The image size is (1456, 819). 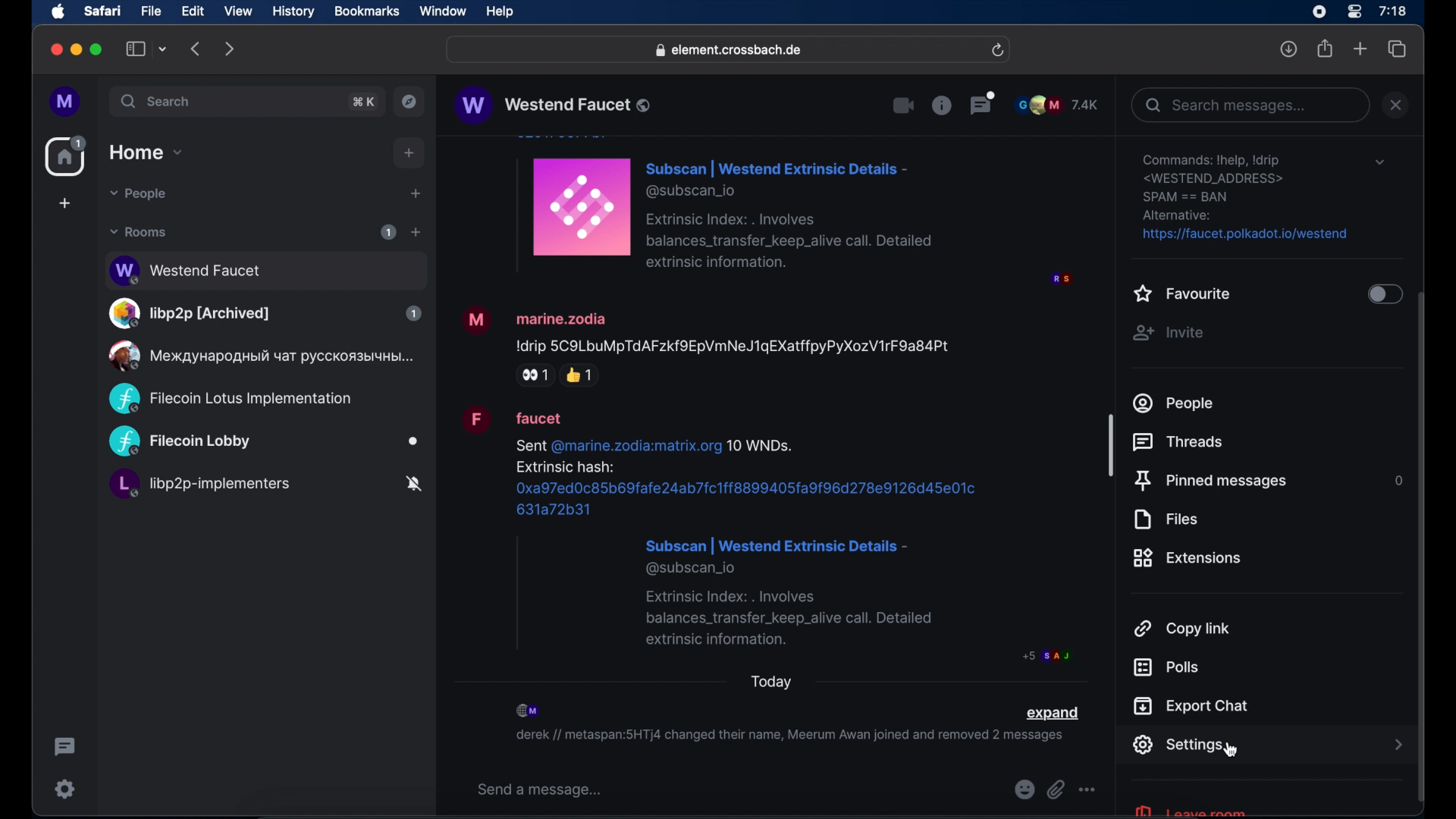 What do you see at coordinates (265, 313) in the screenshot?
I see `public room` at bounding box center [265, 313].